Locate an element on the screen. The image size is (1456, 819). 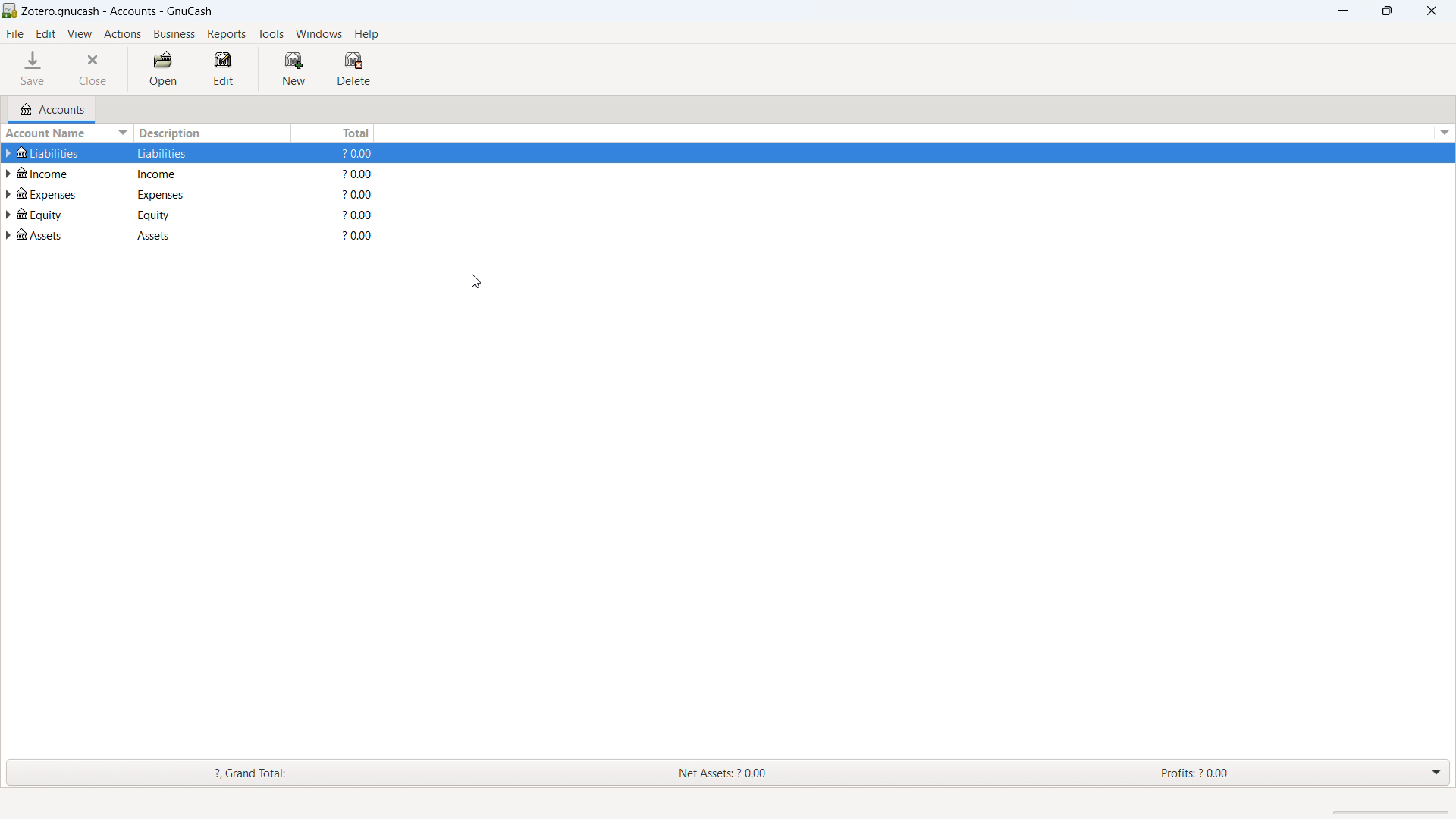
Assets is located at coordinates (47, 236).